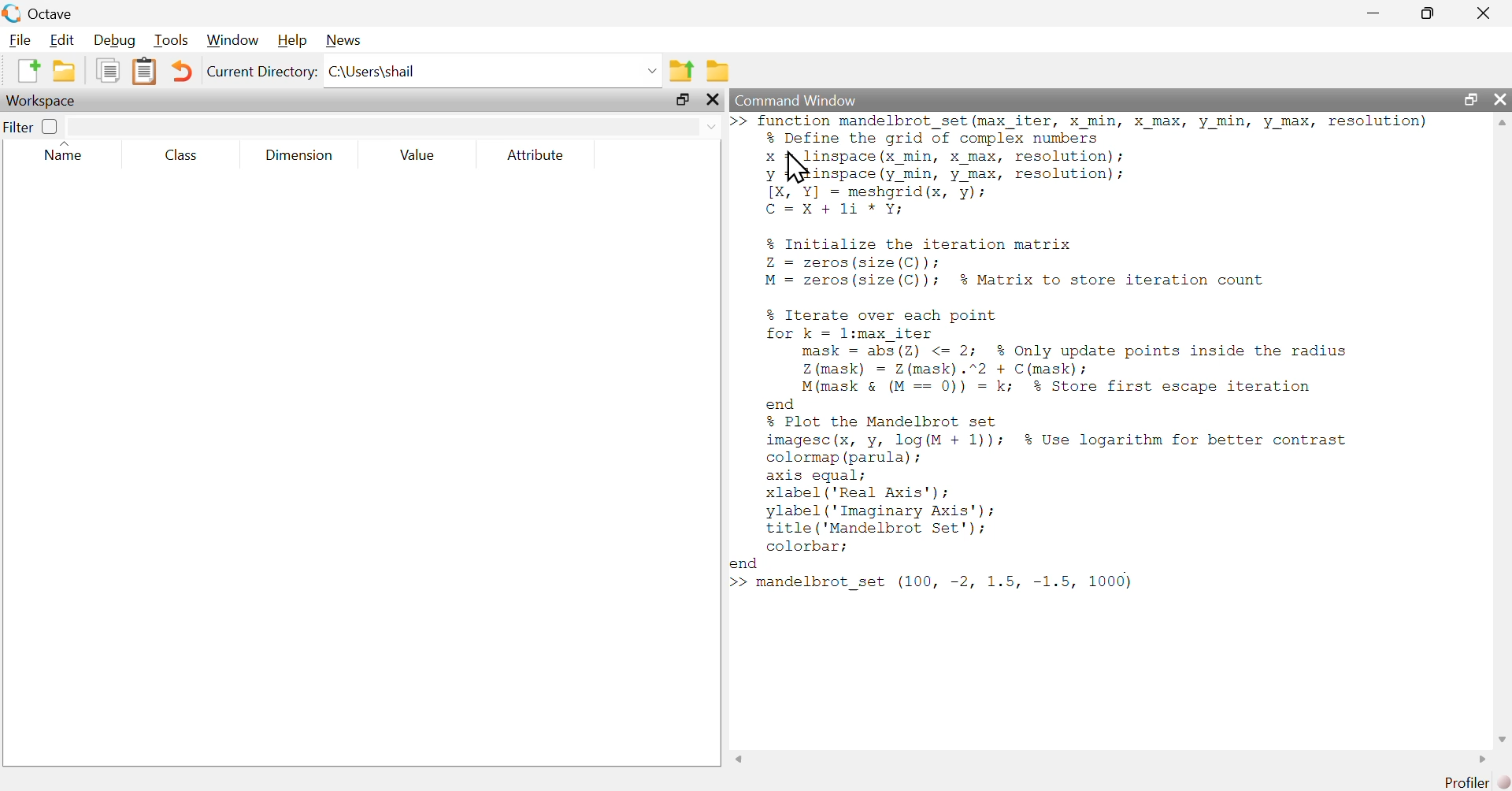  What do you see at coordinates (740, 758) in the screenshot?
I see `Scrollbar left` at bounding box center [740, 758].